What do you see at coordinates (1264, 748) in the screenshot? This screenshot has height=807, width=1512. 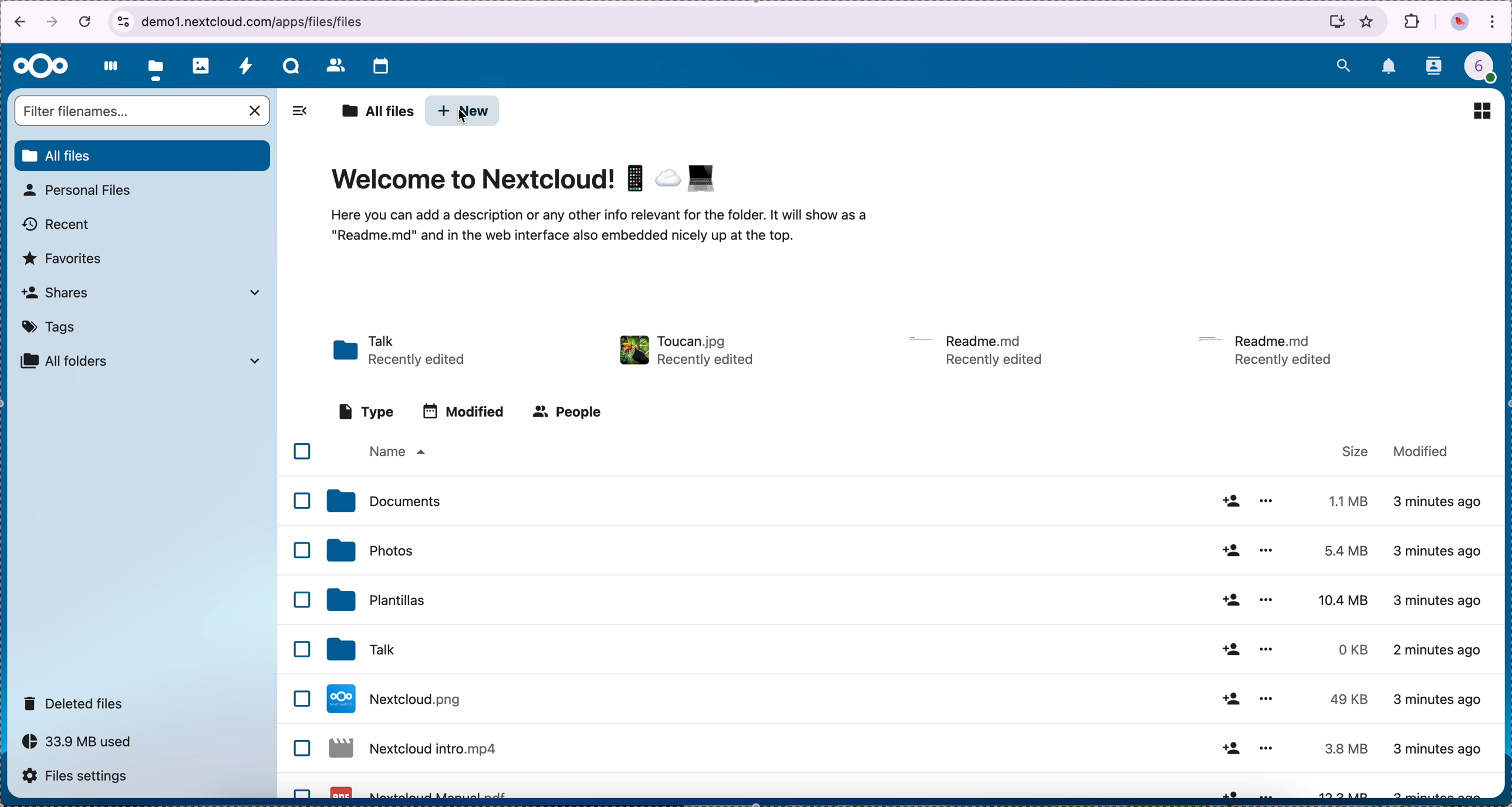 I see `more options` at bounding box center [1264, 748].